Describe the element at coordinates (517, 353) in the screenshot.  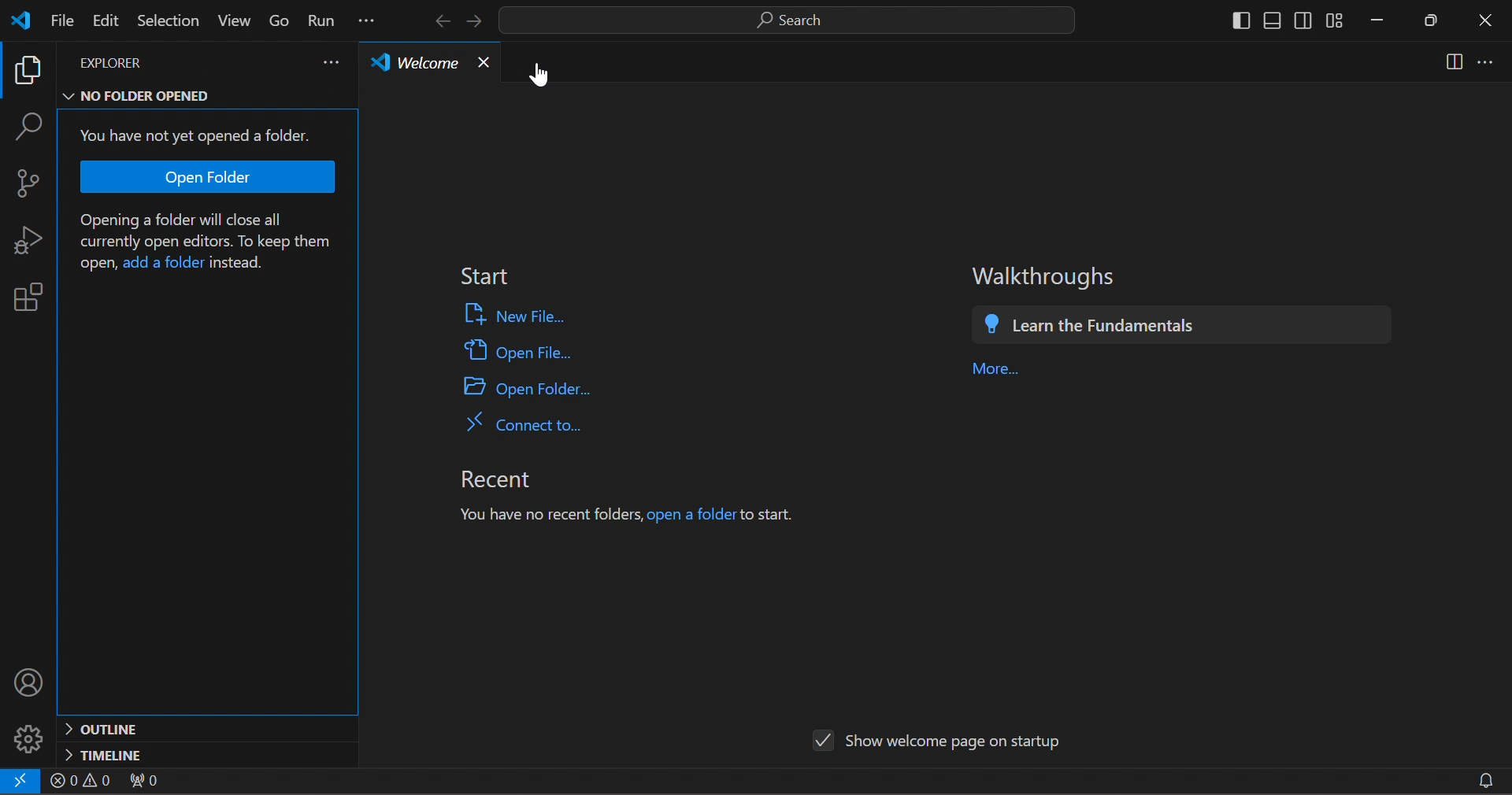
I see `Open File...` at that location.